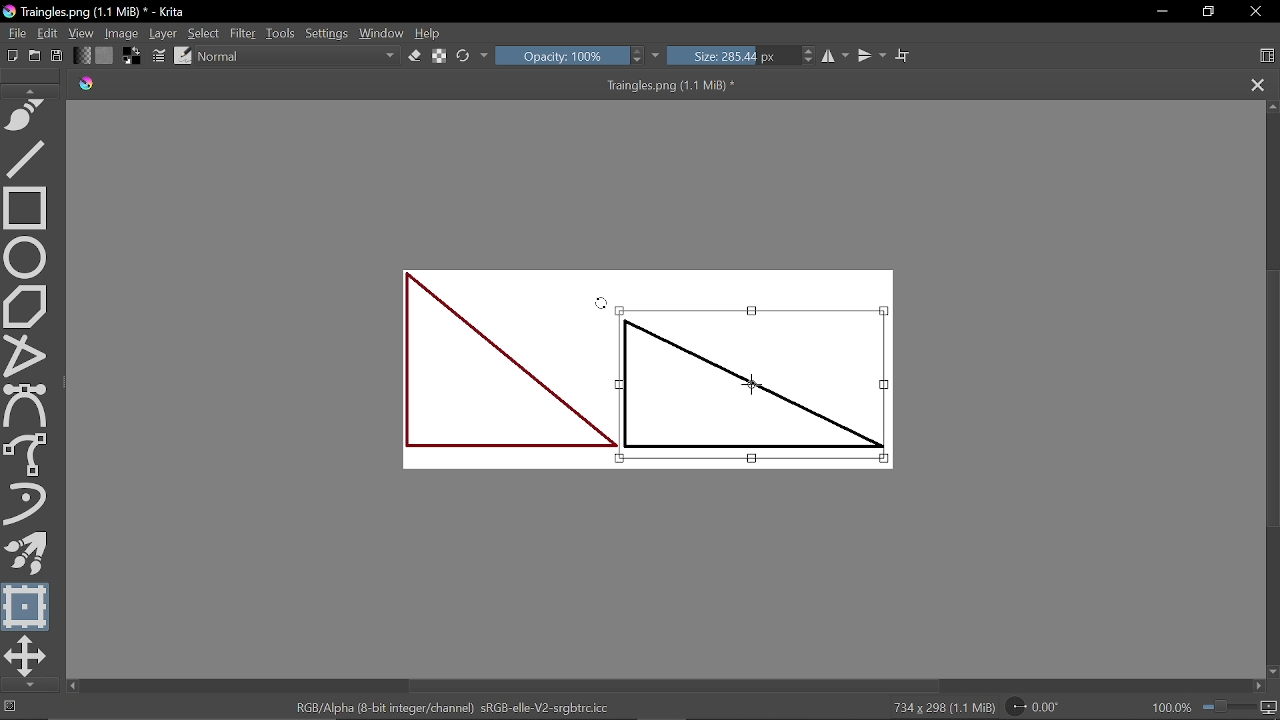 The width and height of the screenshot is (1280, 720). What do you see at coordinates (242, 33) in the screenshot?
I see `Filter` at bounding box center [242, 33].